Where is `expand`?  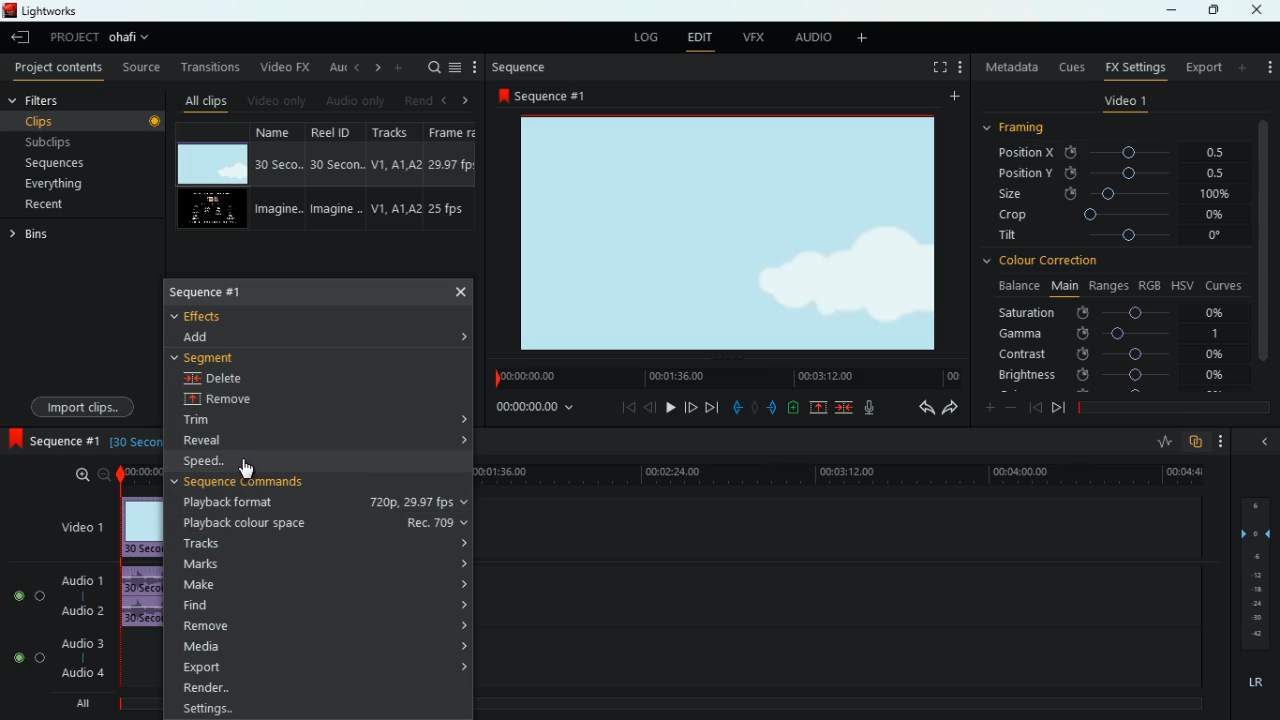
expand is located at coordinates (462, 625).